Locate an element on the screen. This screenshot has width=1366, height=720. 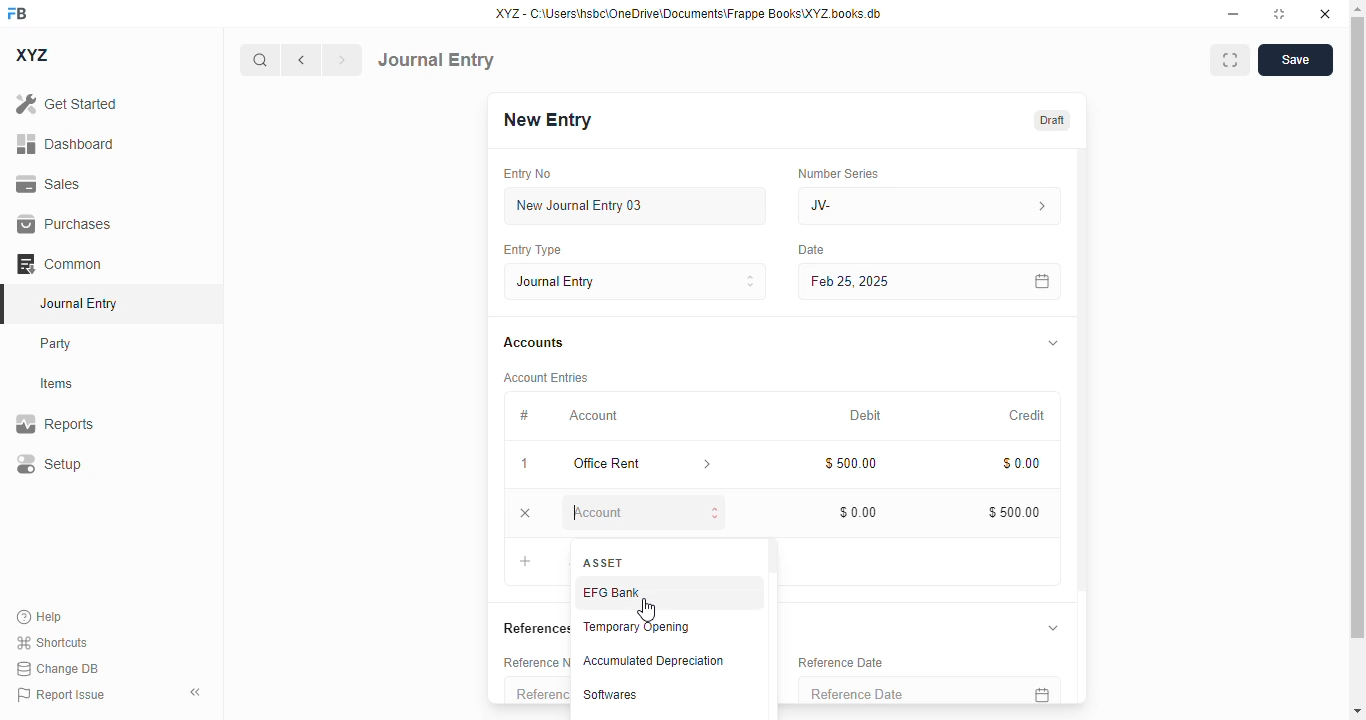
toggle expand/collapse is located at coordinates (1051, 344).